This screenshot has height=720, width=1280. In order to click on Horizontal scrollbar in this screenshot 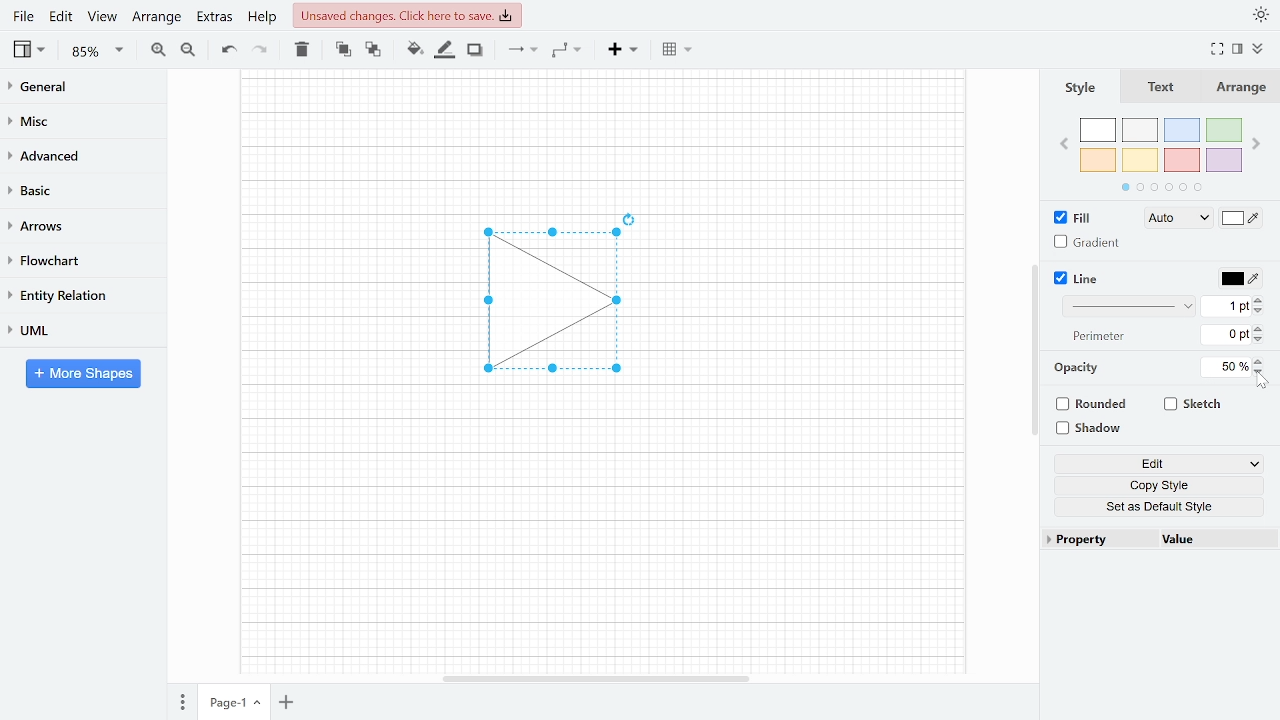, I will do `click(598, 678)`.